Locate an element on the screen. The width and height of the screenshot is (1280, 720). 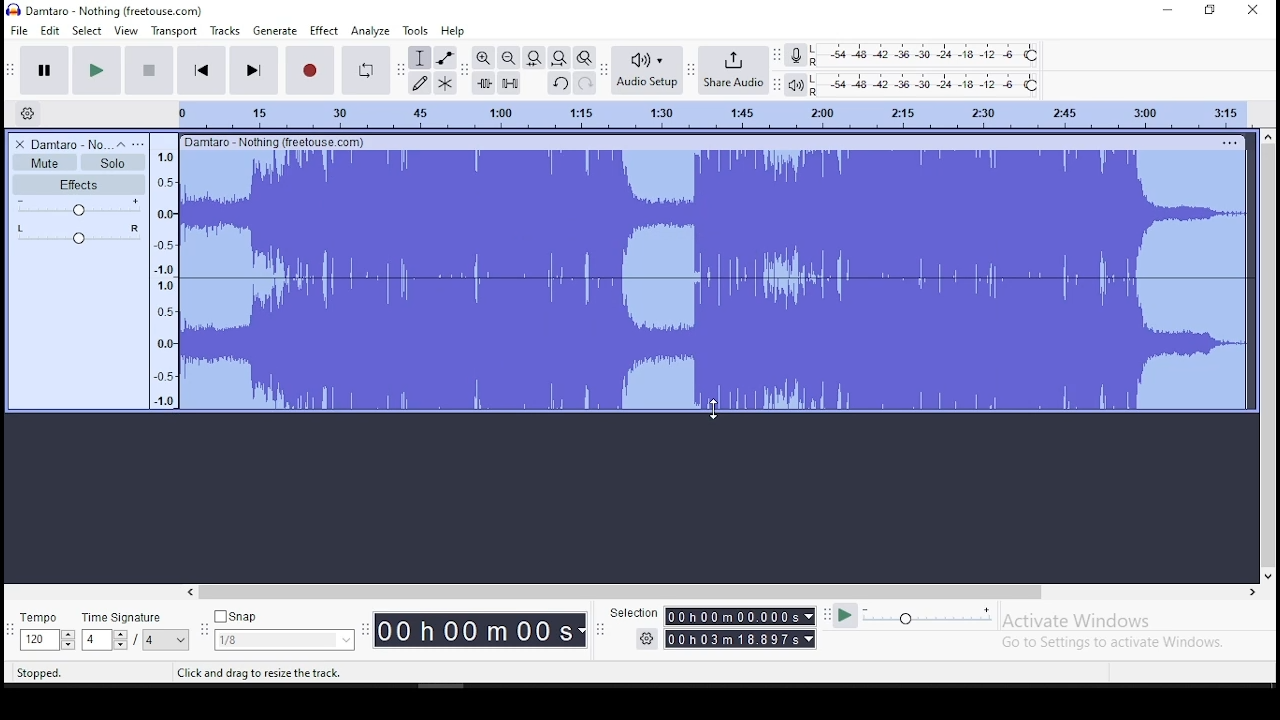
selection tool is located at coordinates (420, 57).